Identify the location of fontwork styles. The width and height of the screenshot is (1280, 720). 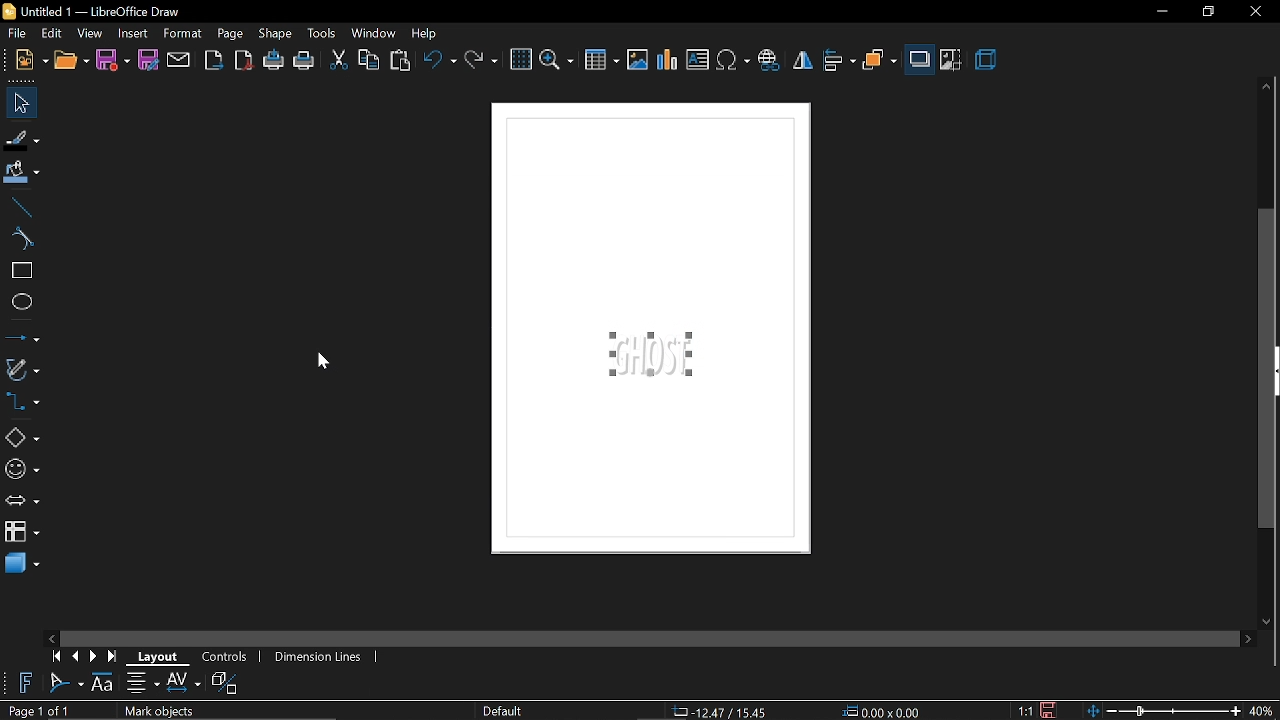
(655, 351).